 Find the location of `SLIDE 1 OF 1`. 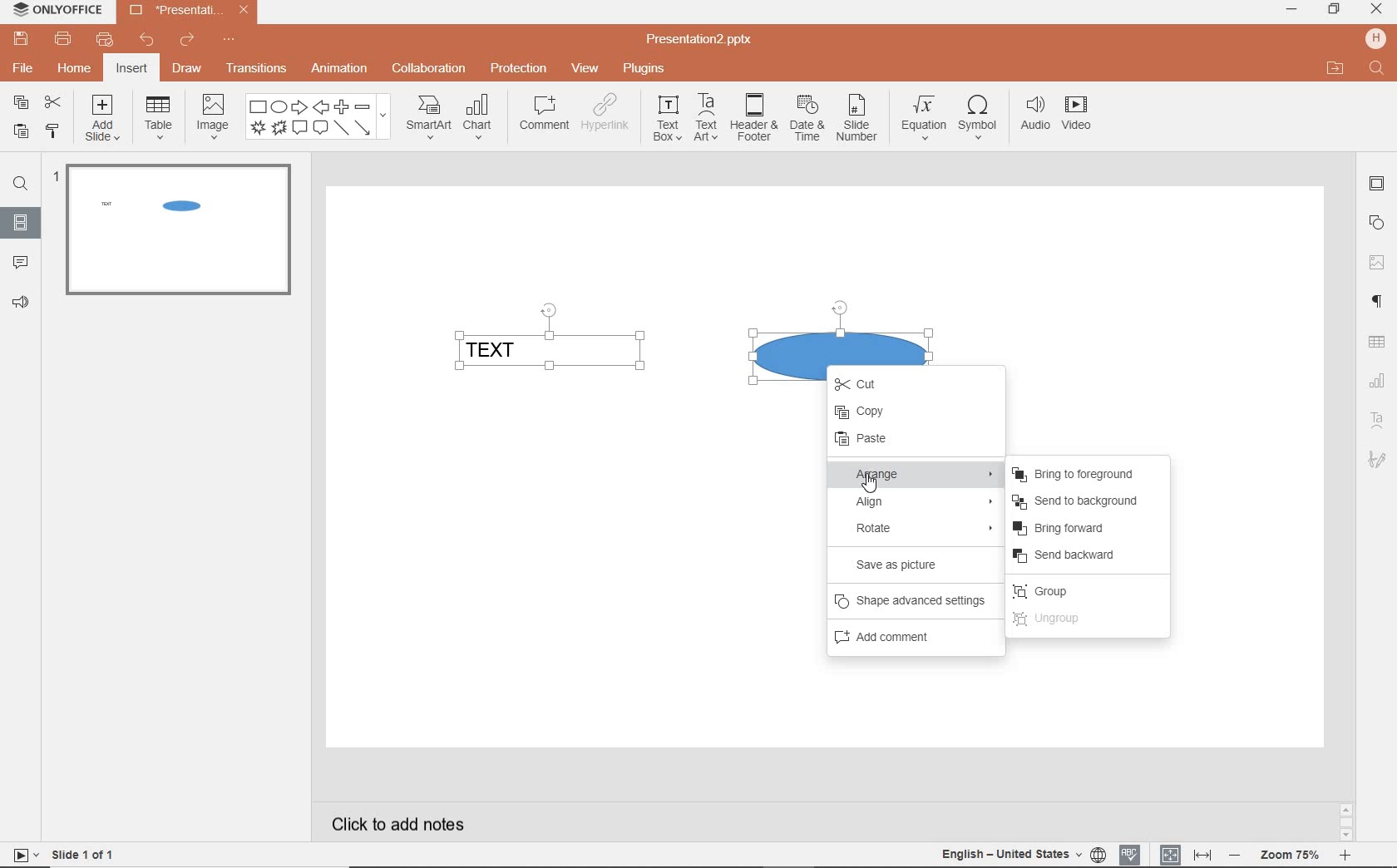

SLIDE 1 OF 1 is located at coordinates (65, 854).